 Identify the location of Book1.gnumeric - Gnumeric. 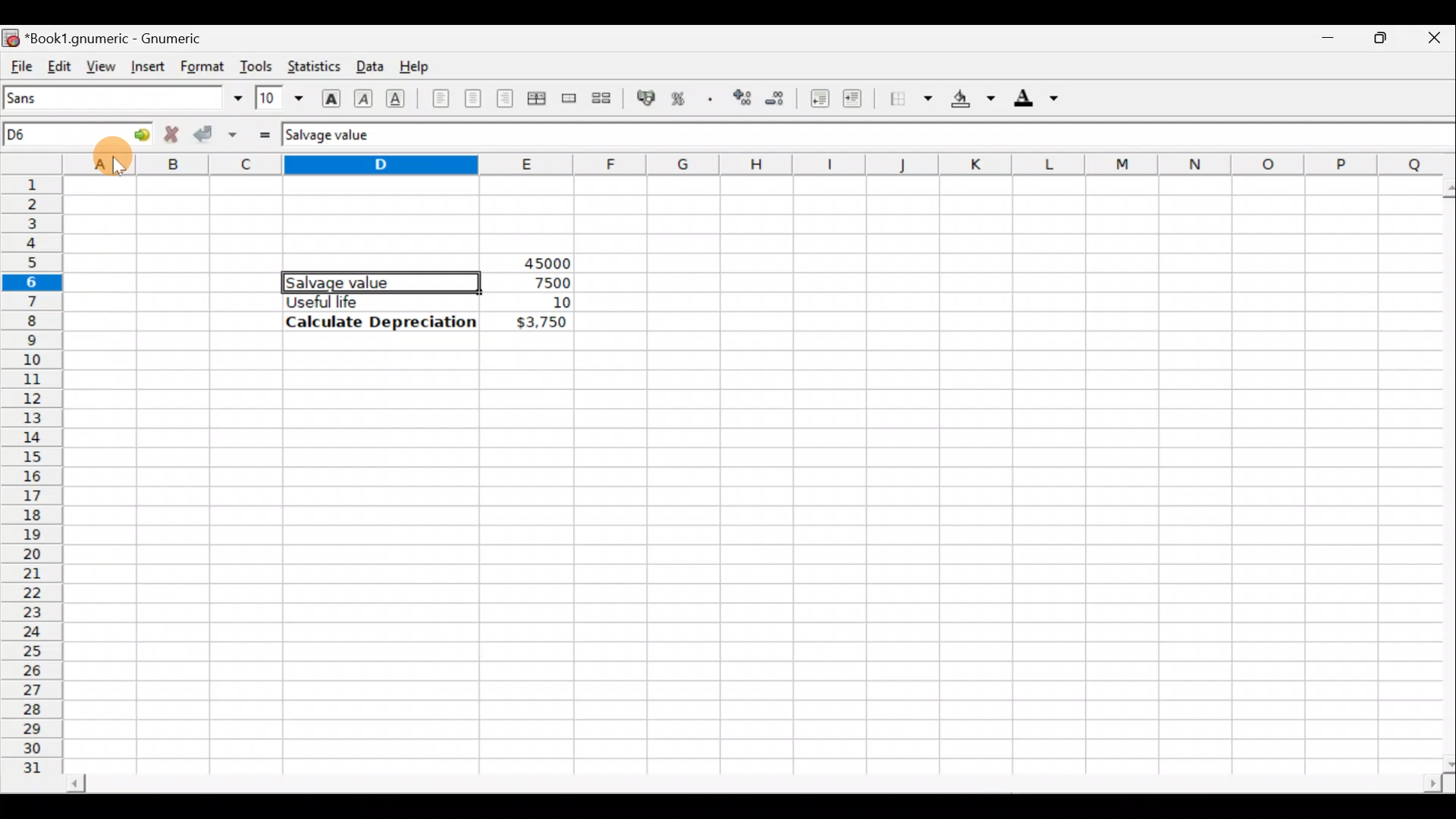
(122, 37).